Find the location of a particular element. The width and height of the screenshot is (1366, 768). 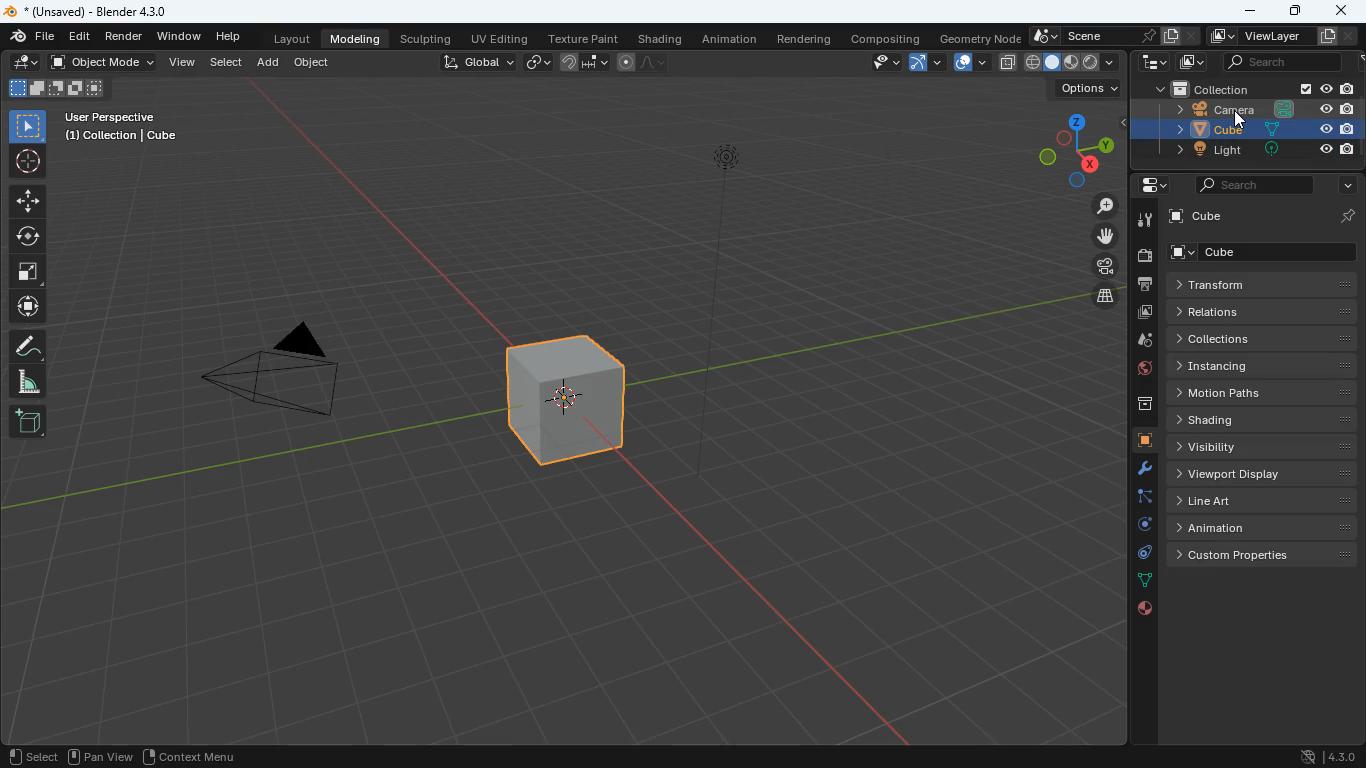

copy is located at coordinates (1171, 36).